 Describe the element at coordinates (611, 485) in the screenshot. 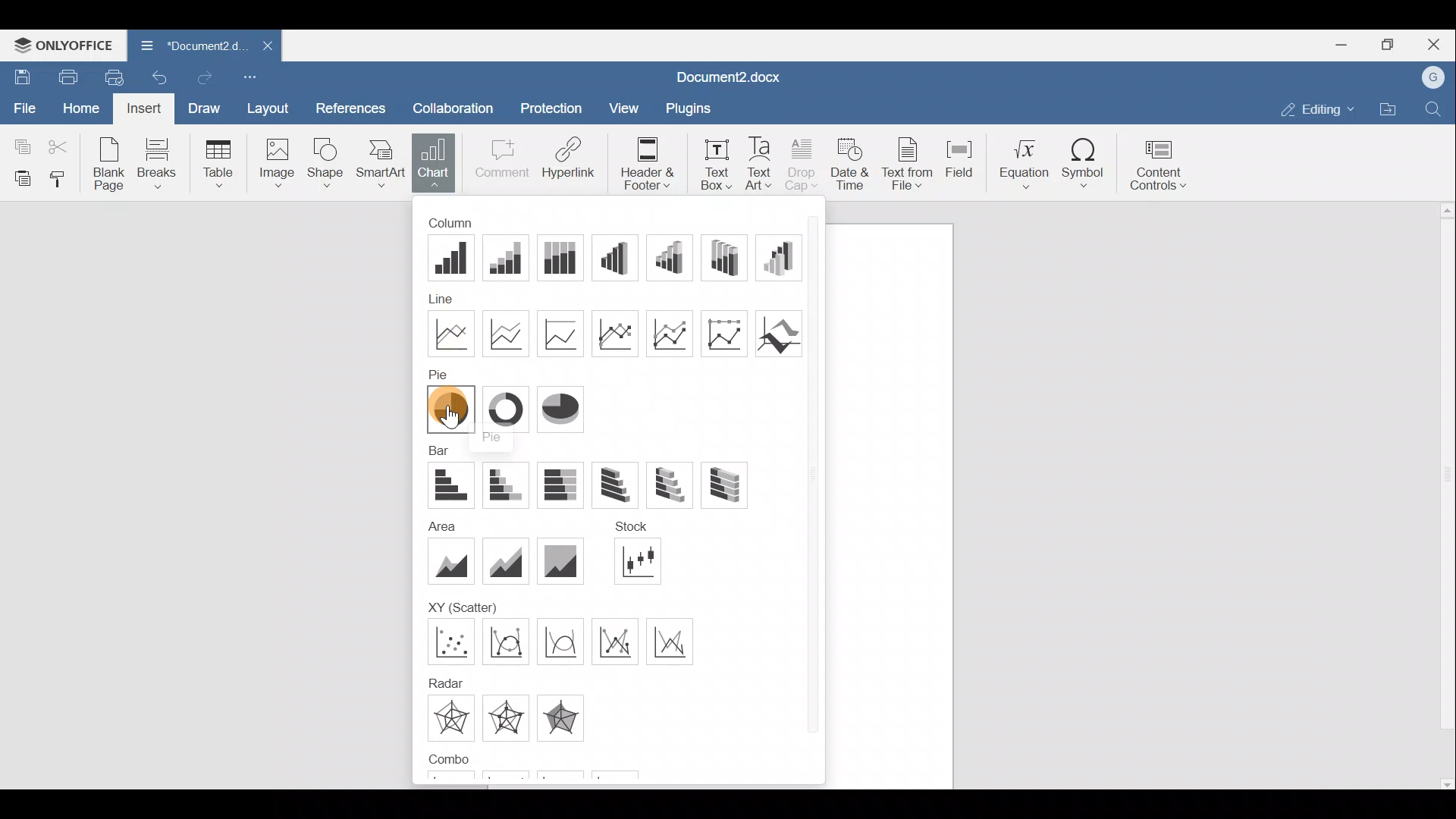

I see `3-D clustered bar` at that location.